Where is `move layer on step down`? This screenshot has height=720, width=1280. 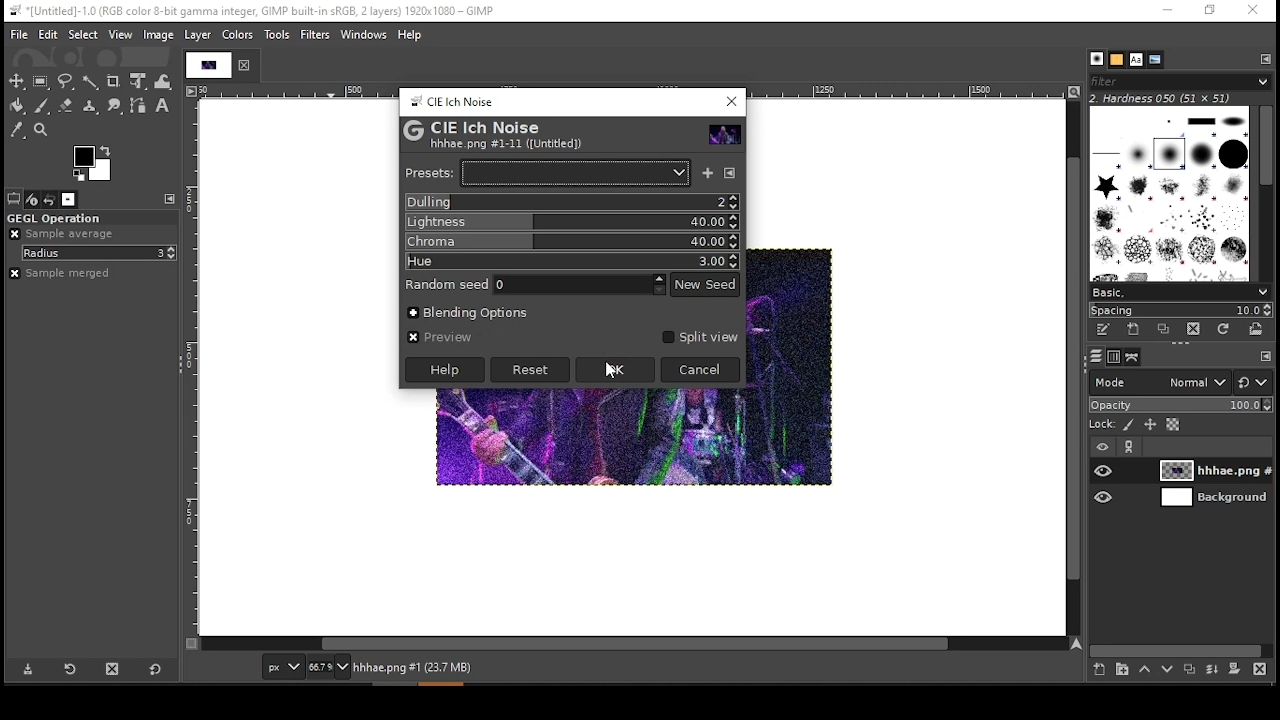 move layer on step down is located at coordinates (1172, 670).